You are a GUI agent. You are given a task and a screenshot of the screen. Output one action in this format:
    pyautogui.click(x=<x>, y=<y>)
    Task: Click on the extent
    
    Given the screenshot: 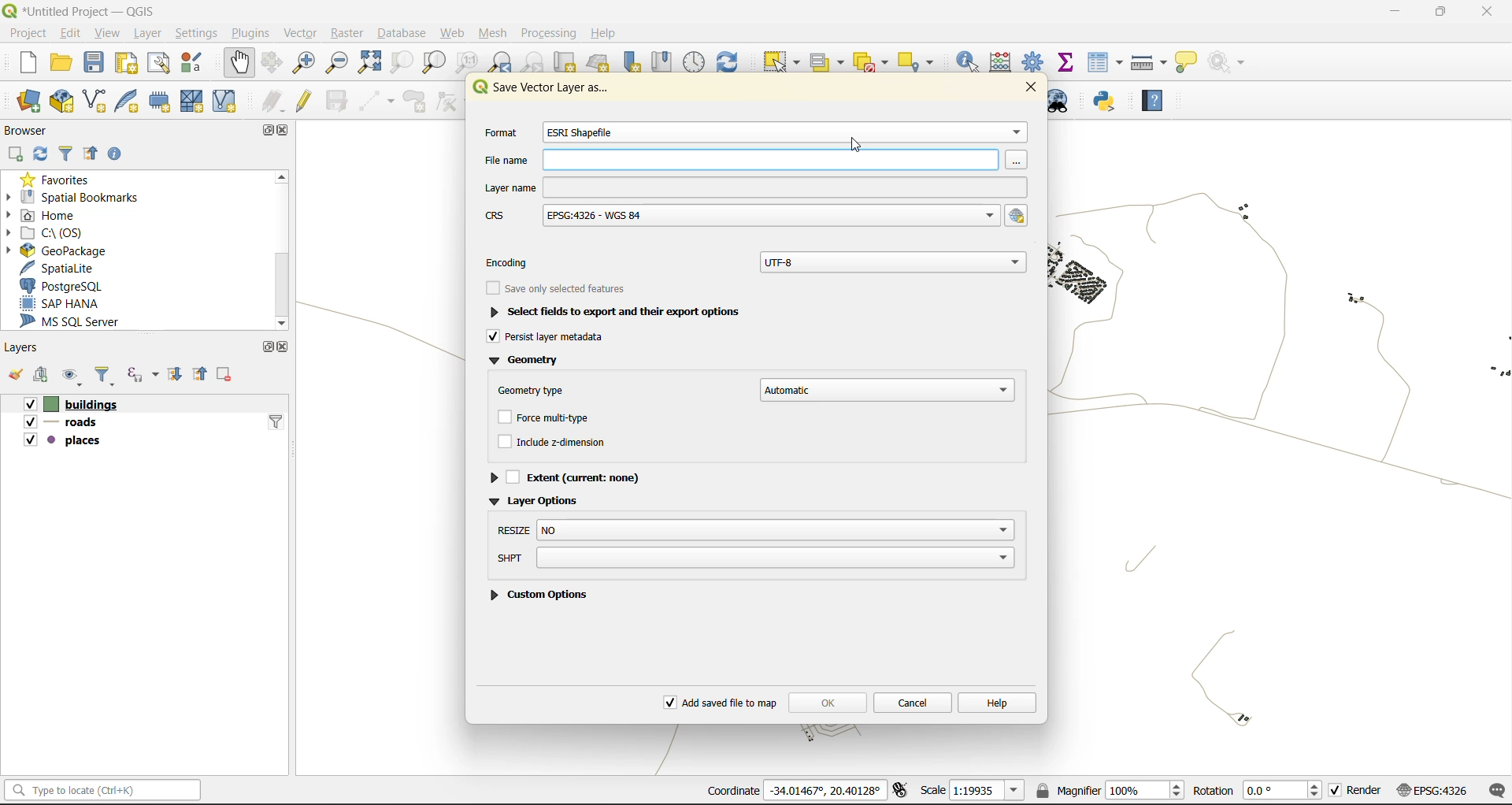 What is the action you would take?
    pyautogui.click(x=575, y=476)
    